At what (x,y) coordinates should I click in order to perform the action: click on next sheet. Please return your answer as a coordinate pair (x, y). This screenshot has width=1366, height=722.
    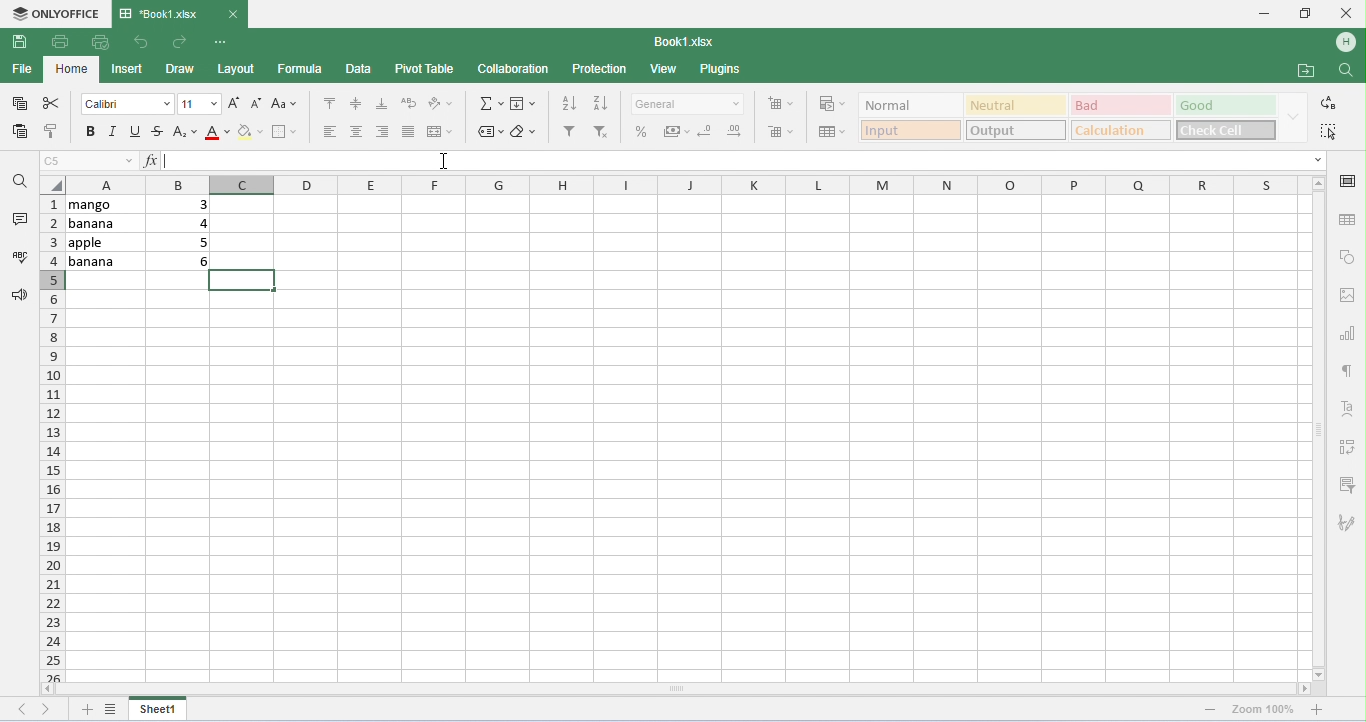
    Looking at the image, I should click on (48, 709).